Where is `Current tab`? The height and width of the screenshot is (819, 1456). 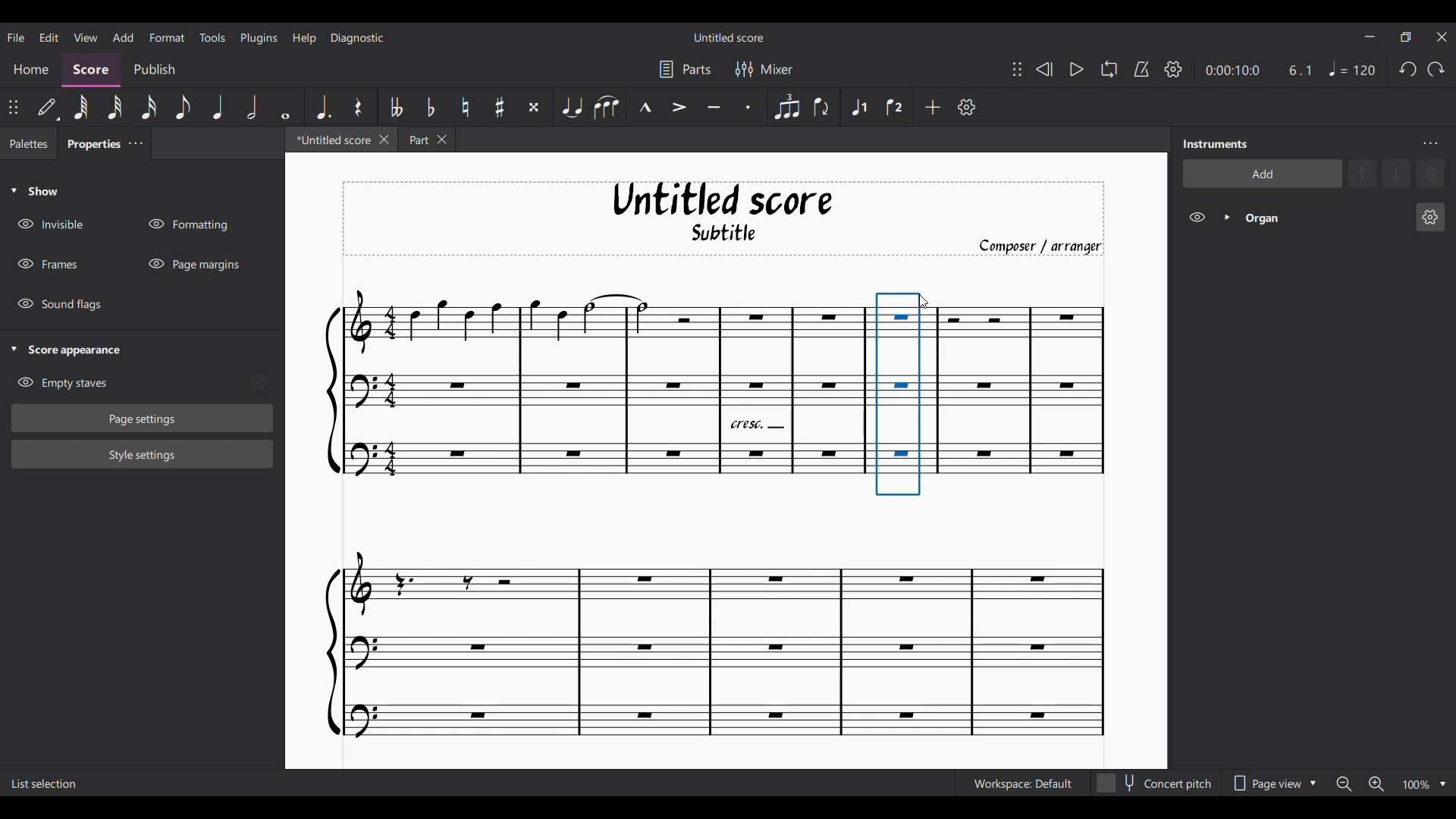 Current tab is located at coordinates (331, 140).